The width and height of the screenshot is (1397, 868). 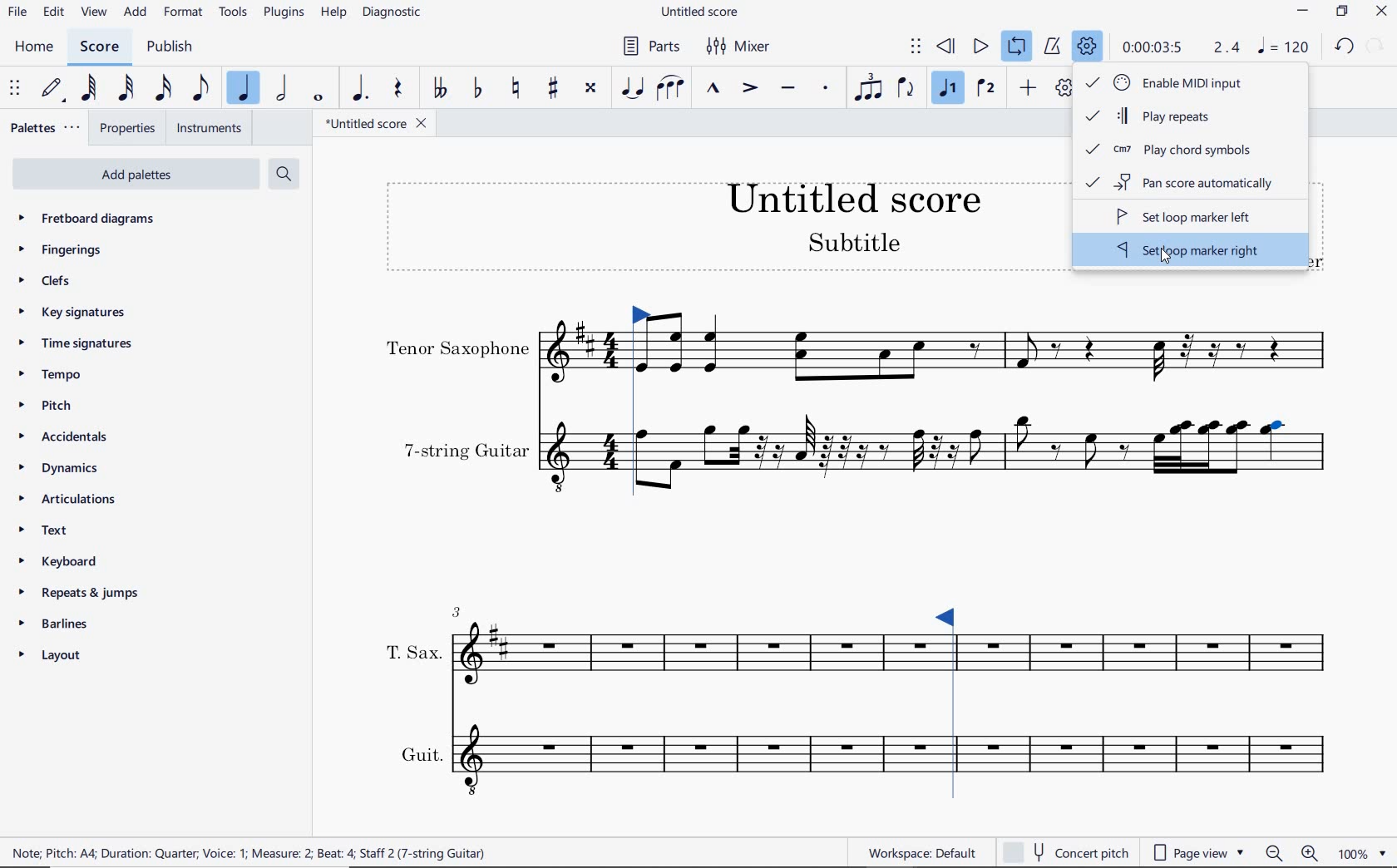 What do you see at coordinates (62, 250) in the screenshot?
I see `FINGERINGS` at bounding box center [62, 250].